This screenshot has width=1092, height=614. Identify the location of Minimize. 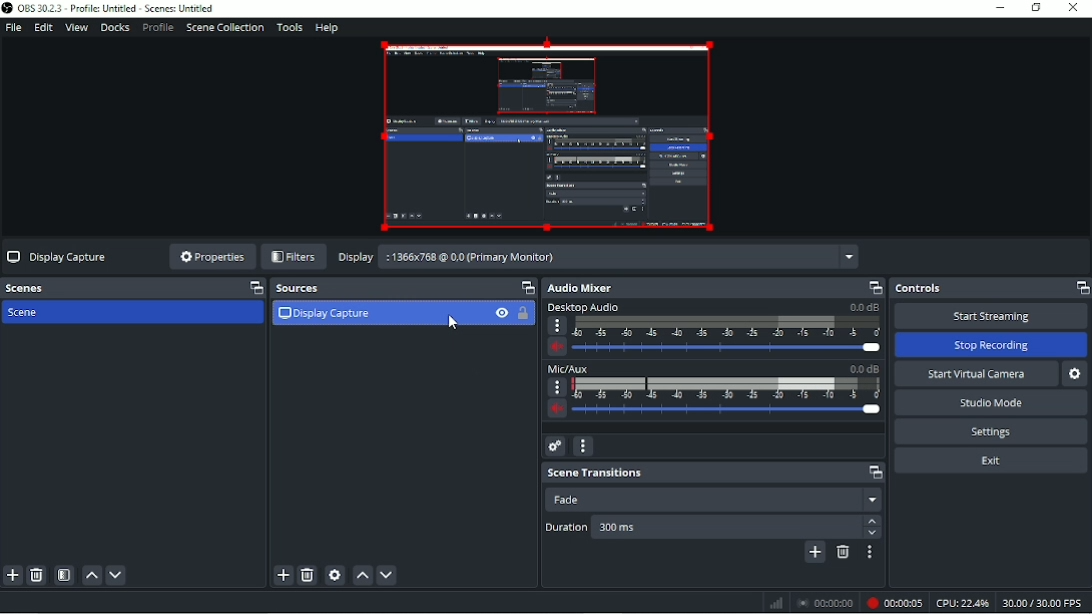
(1001, 7).